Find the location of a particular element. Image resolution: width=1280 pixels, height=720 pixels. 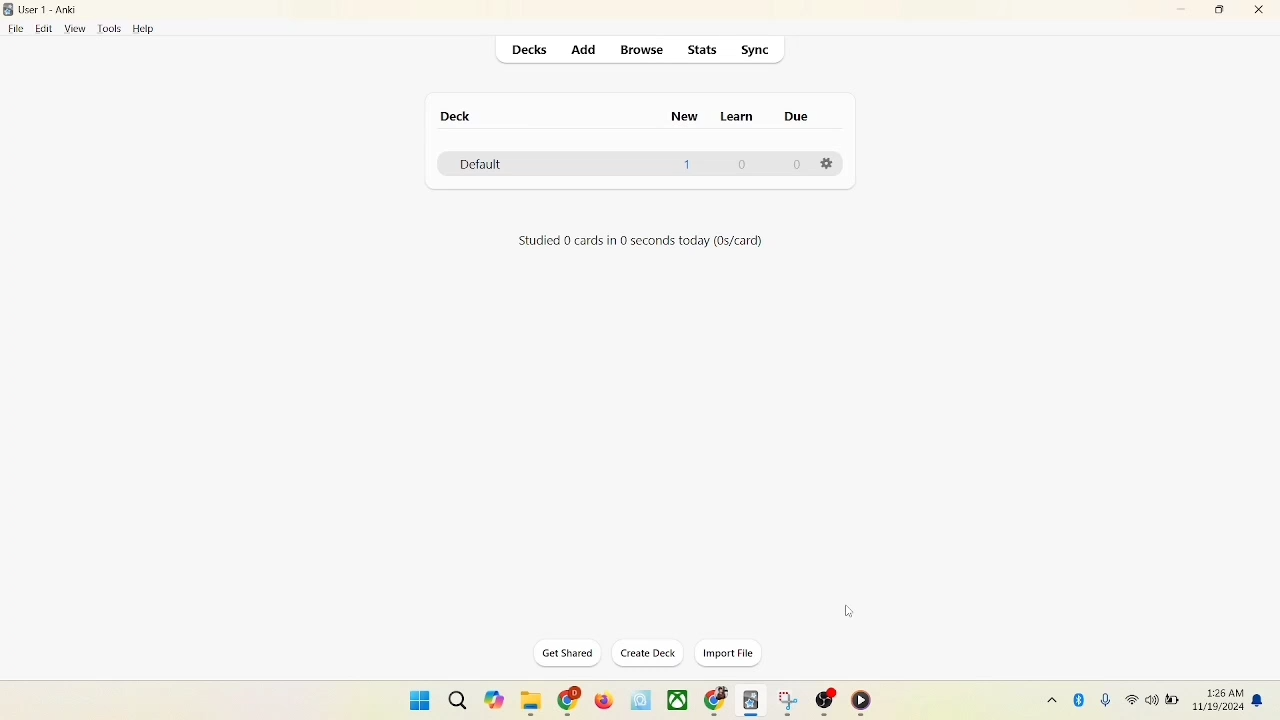

file is located at coordinates (13, 29).